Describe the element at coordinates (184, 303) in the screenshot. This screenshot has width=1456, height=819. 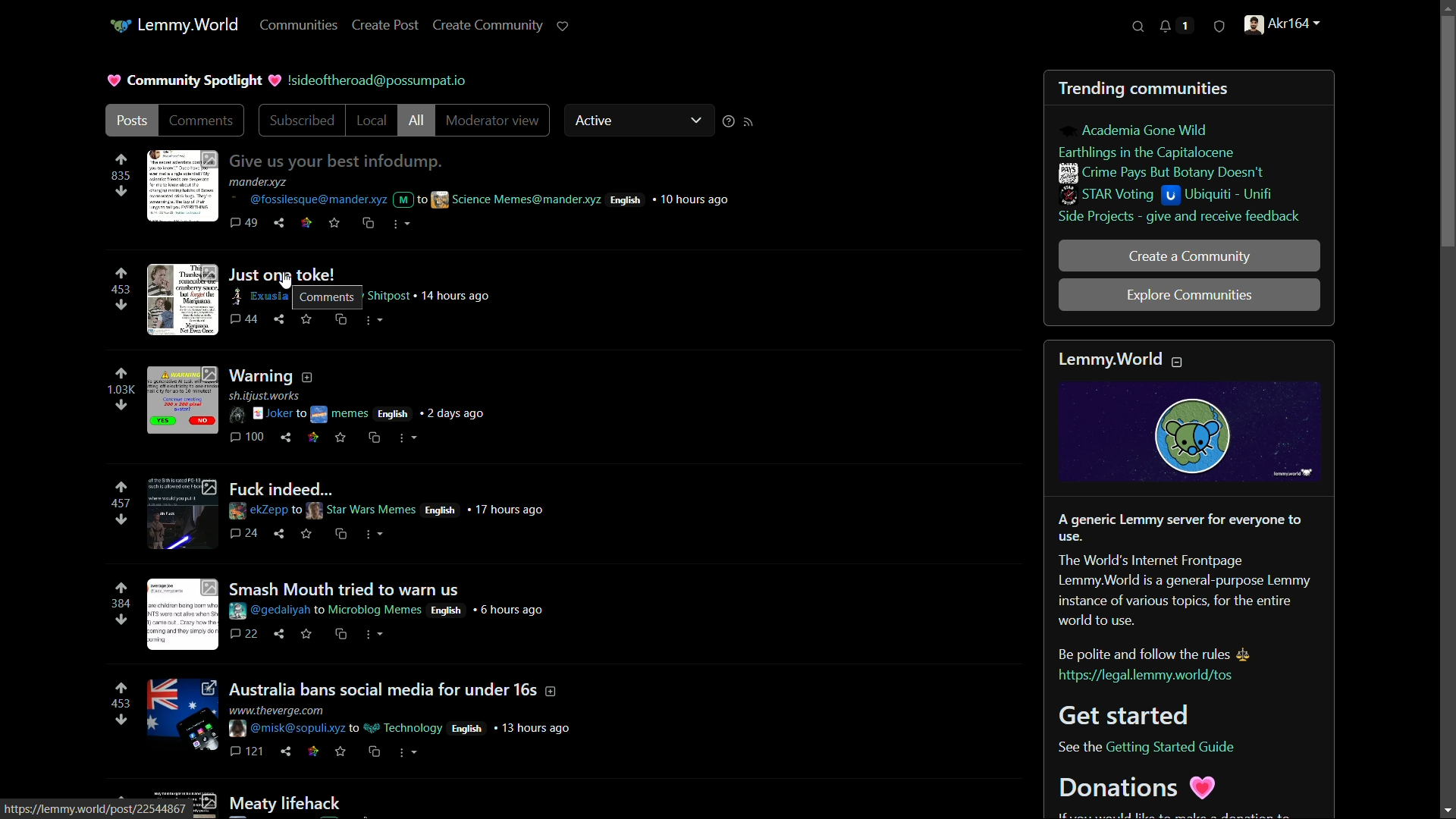
I see `Thumbnail` at that location.